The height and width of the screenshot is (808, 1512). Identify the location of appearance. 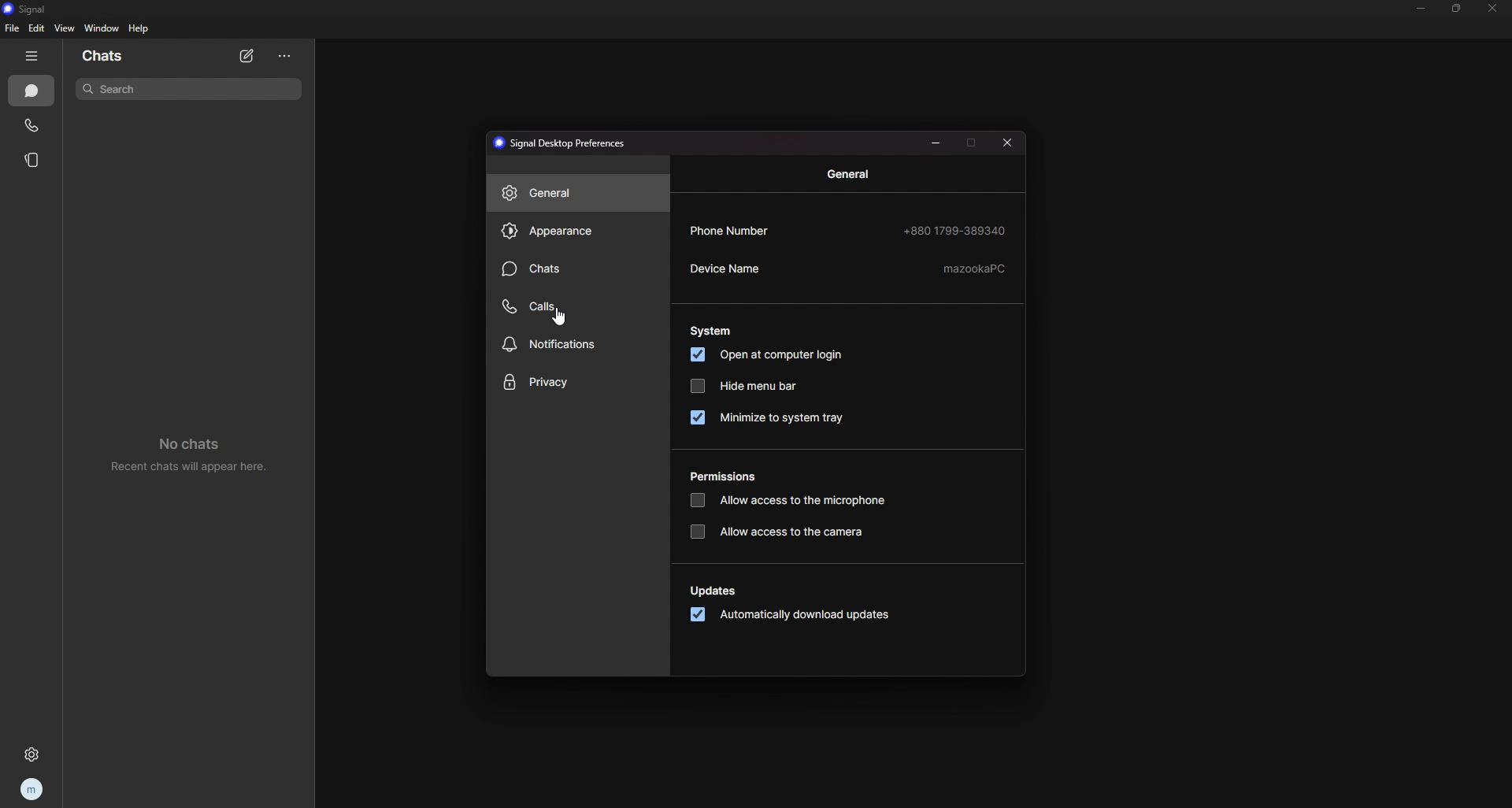
(576, 232).